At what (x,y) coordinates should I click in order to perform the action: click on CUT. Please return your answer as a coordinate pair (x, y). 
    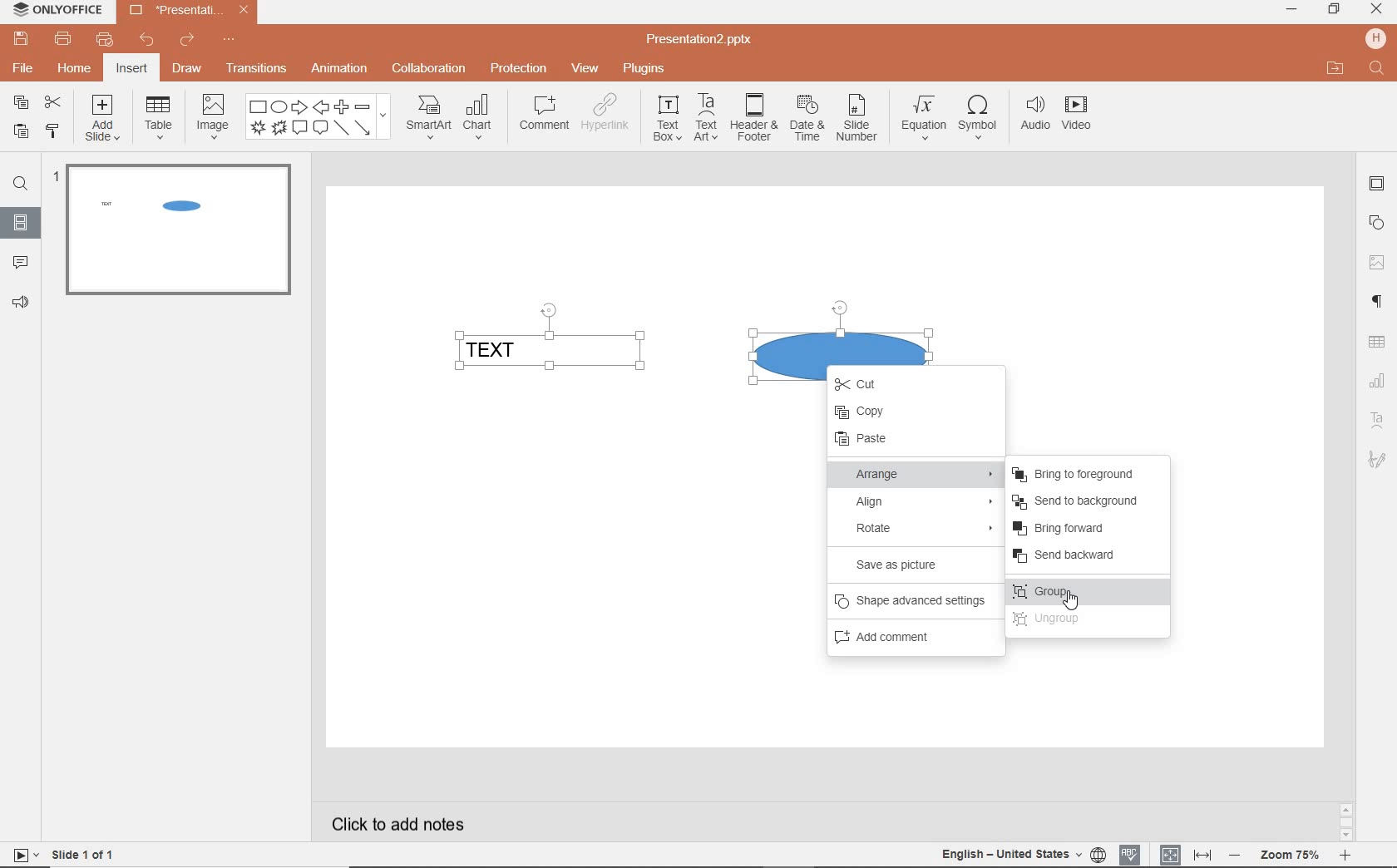
    Looking at the image, I should click on (867, 382).